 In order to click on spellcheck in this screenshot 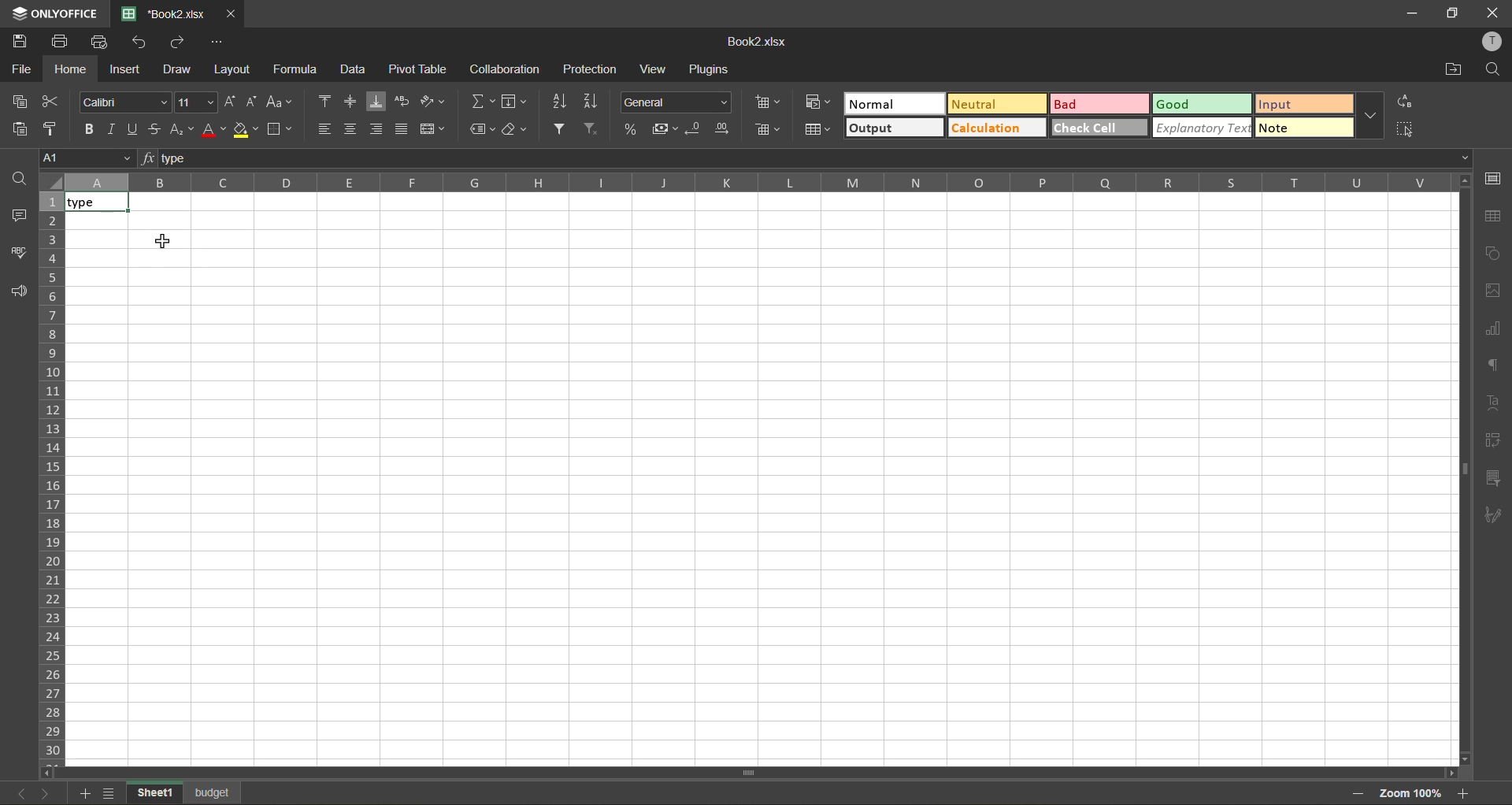, I will do `click(17, 254)`.